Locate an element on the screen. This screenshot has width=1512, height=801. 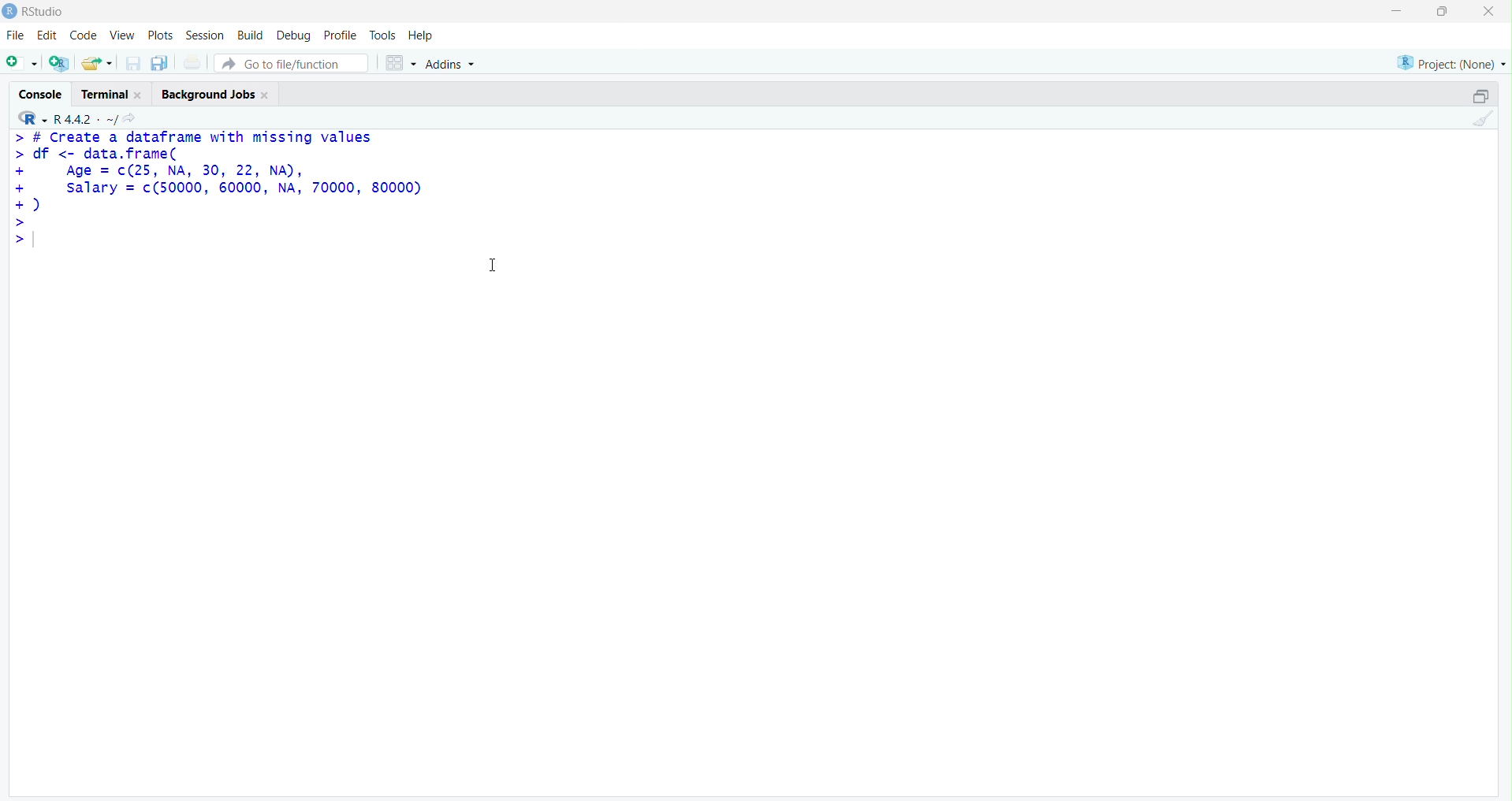
Profile is located at coordinates (341, 35).